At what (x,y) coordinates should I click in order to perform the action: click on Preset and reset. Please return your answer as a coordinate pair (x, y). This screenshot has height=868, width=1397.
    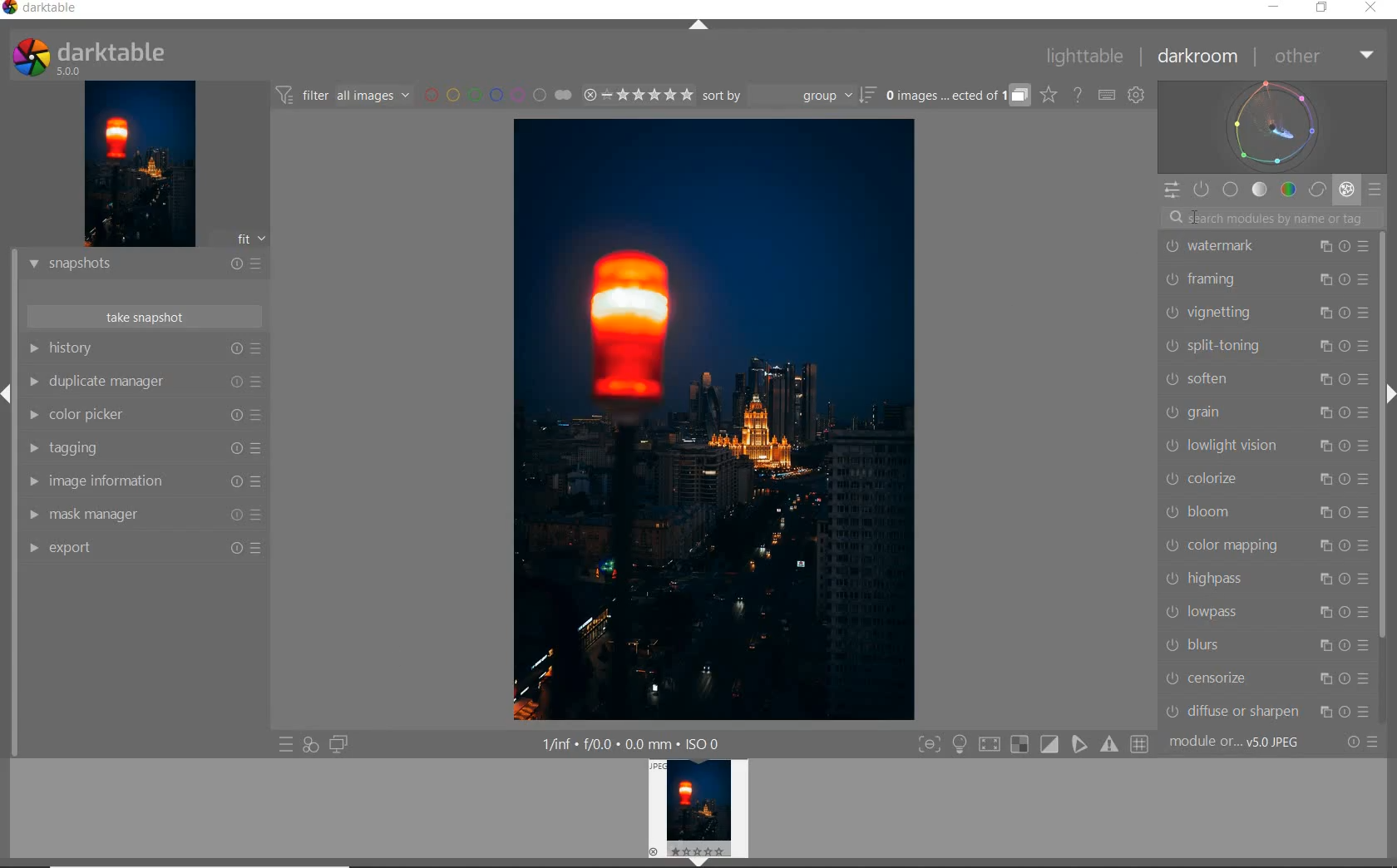
    Looking at the image, I should click on (1365, 311).